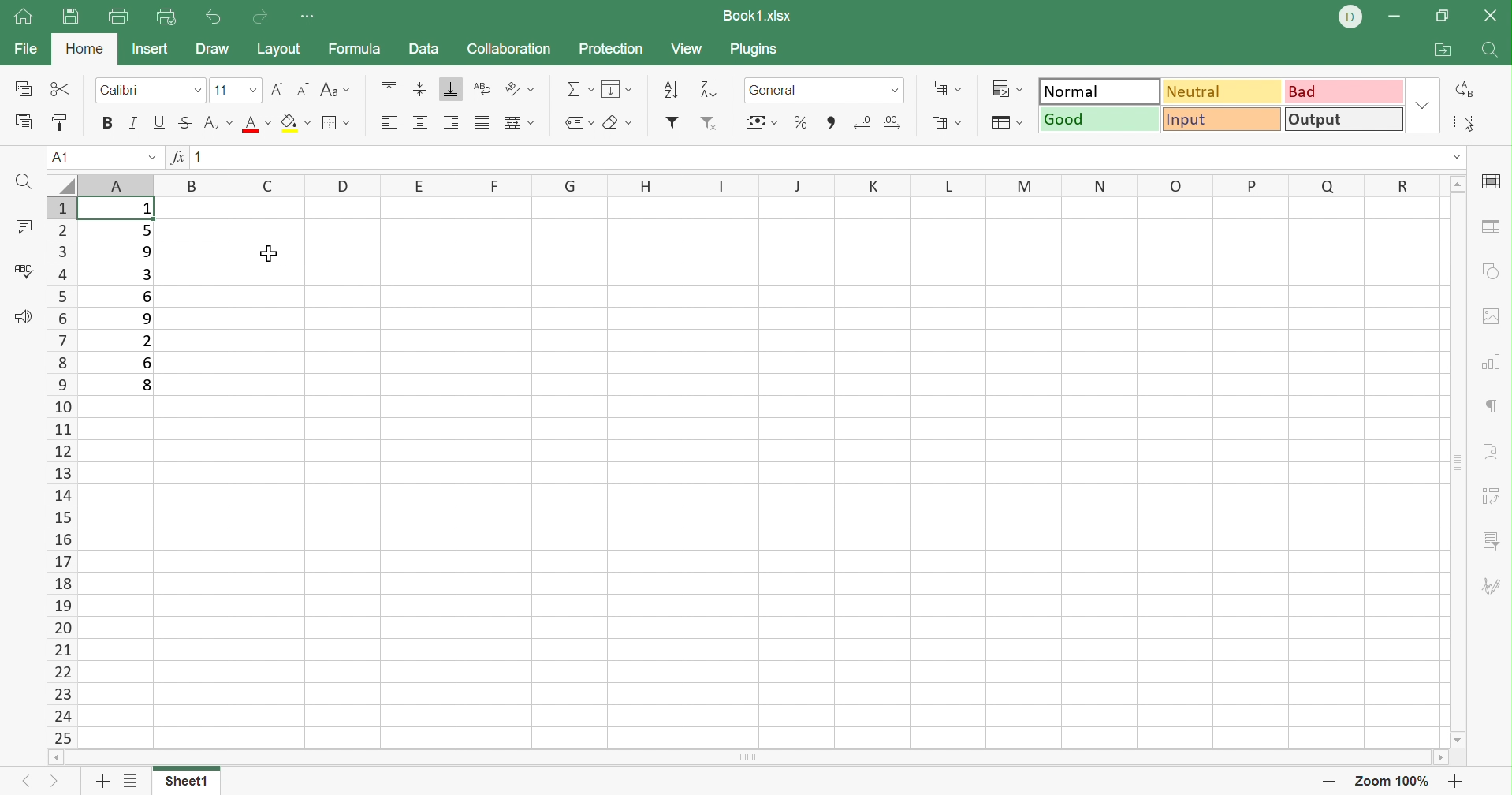 The height and width of the screenshot is (795, 1512). What do you see at coordinates (863, 118) in the screenshot?
I see `Decrease decimal` at bounding box center [863, 118].